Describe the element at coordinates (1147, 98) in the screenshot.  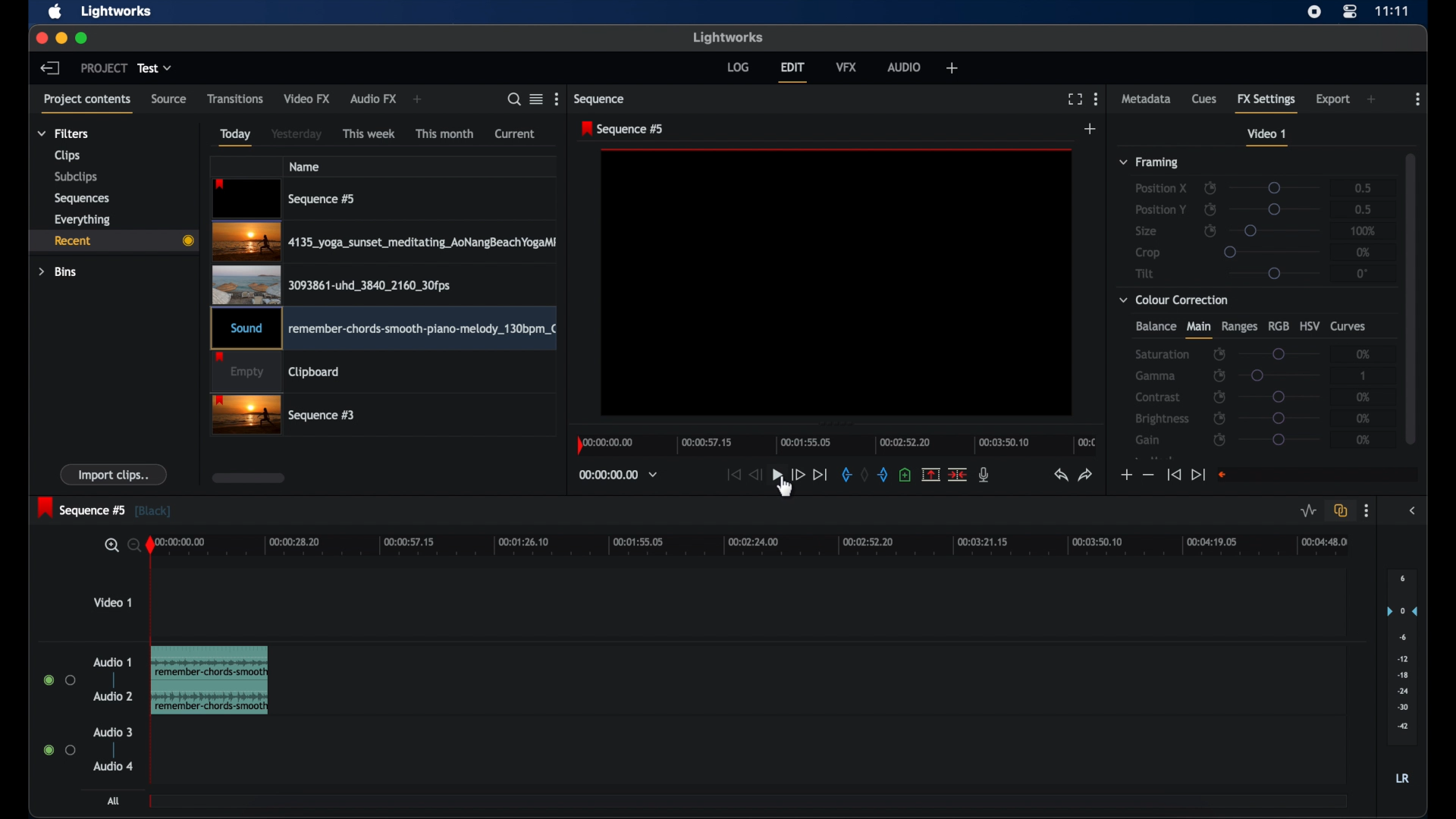
I see `metadata` at that location.